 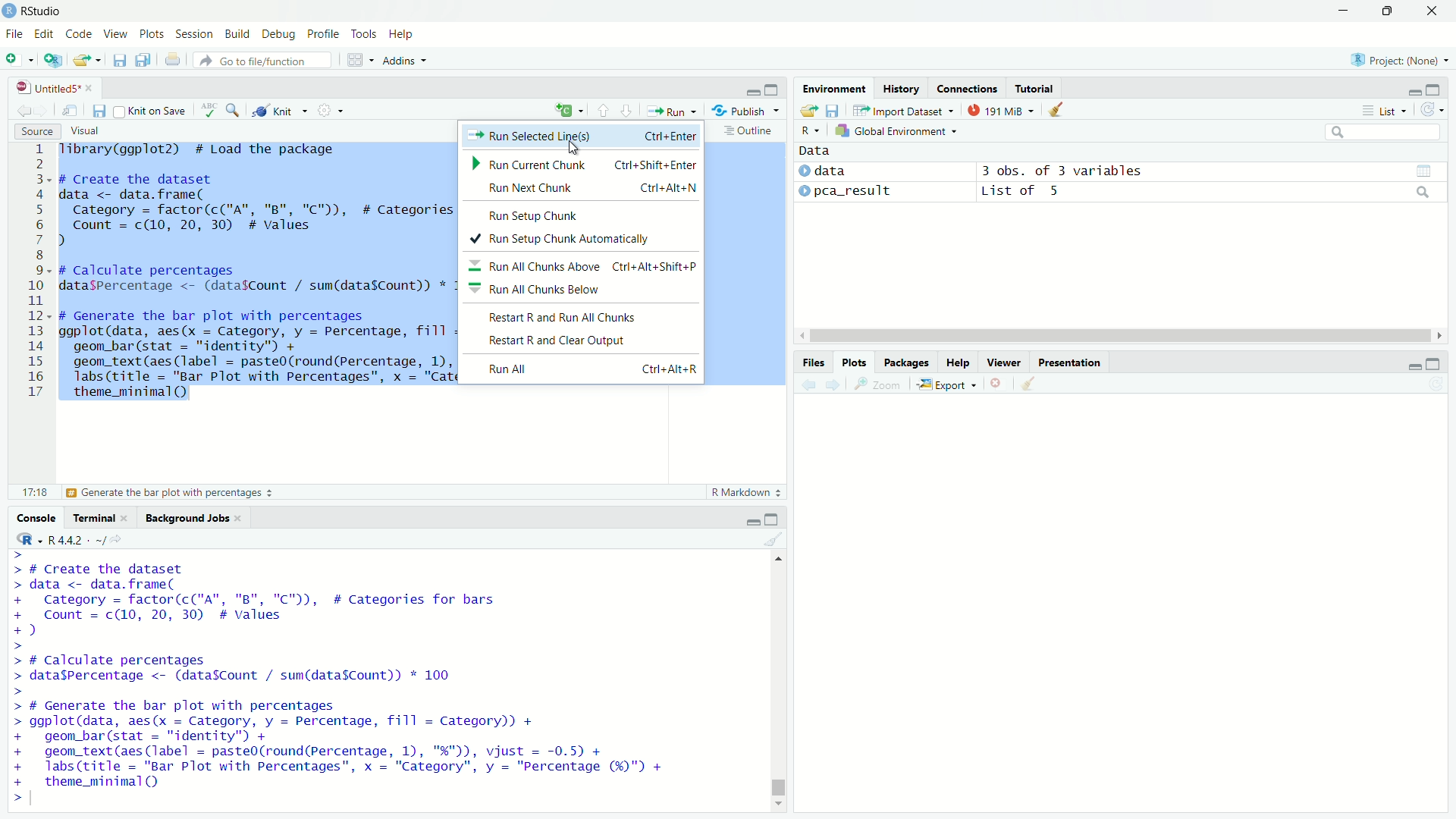 I want to click on console, so click(x=35, y=517).